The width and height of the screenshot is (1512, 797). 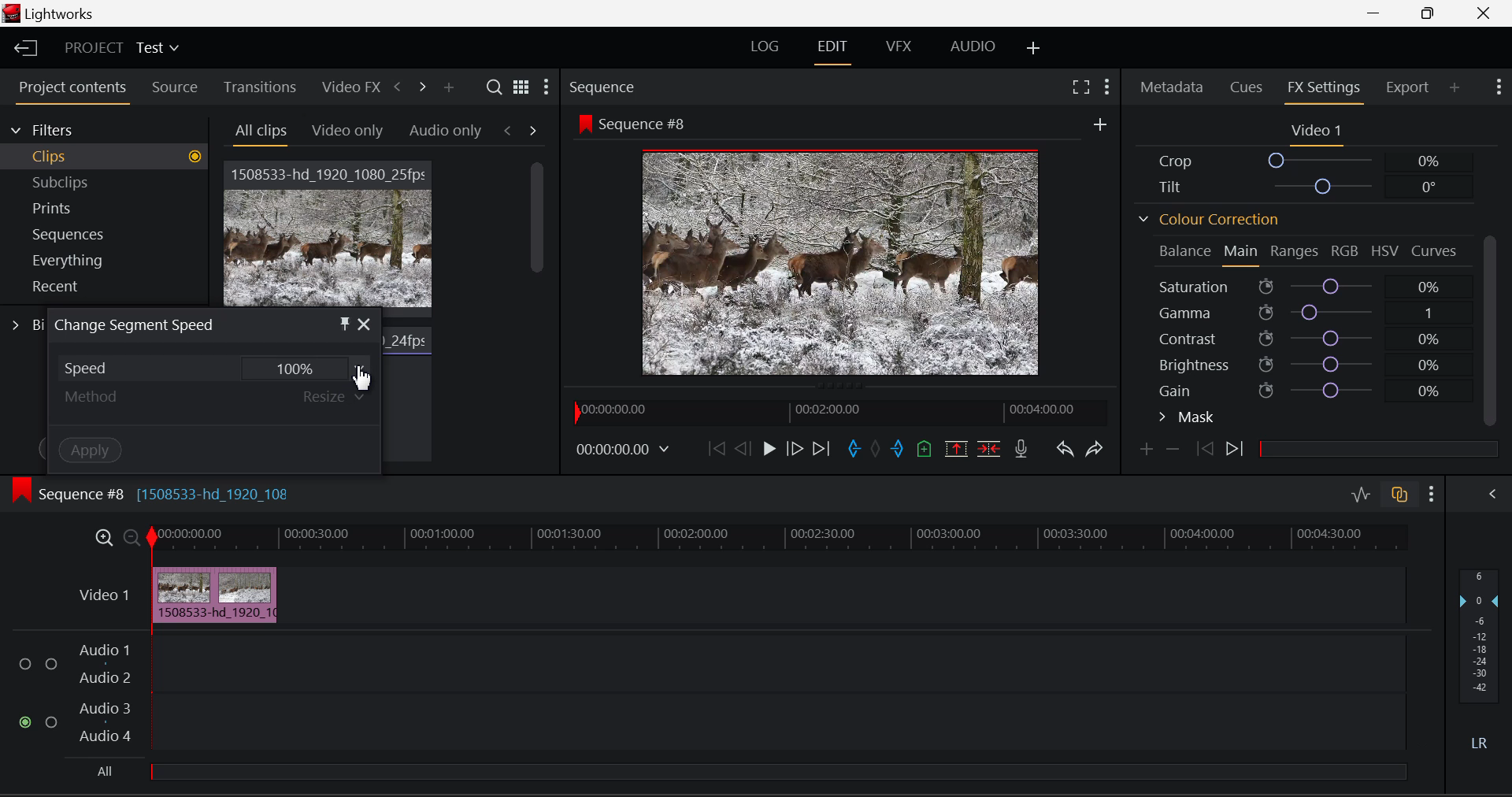 What do you see at coordinates (107, 648) in the screenshot?
I see `Audio 1` at bounding box center [107, 648].